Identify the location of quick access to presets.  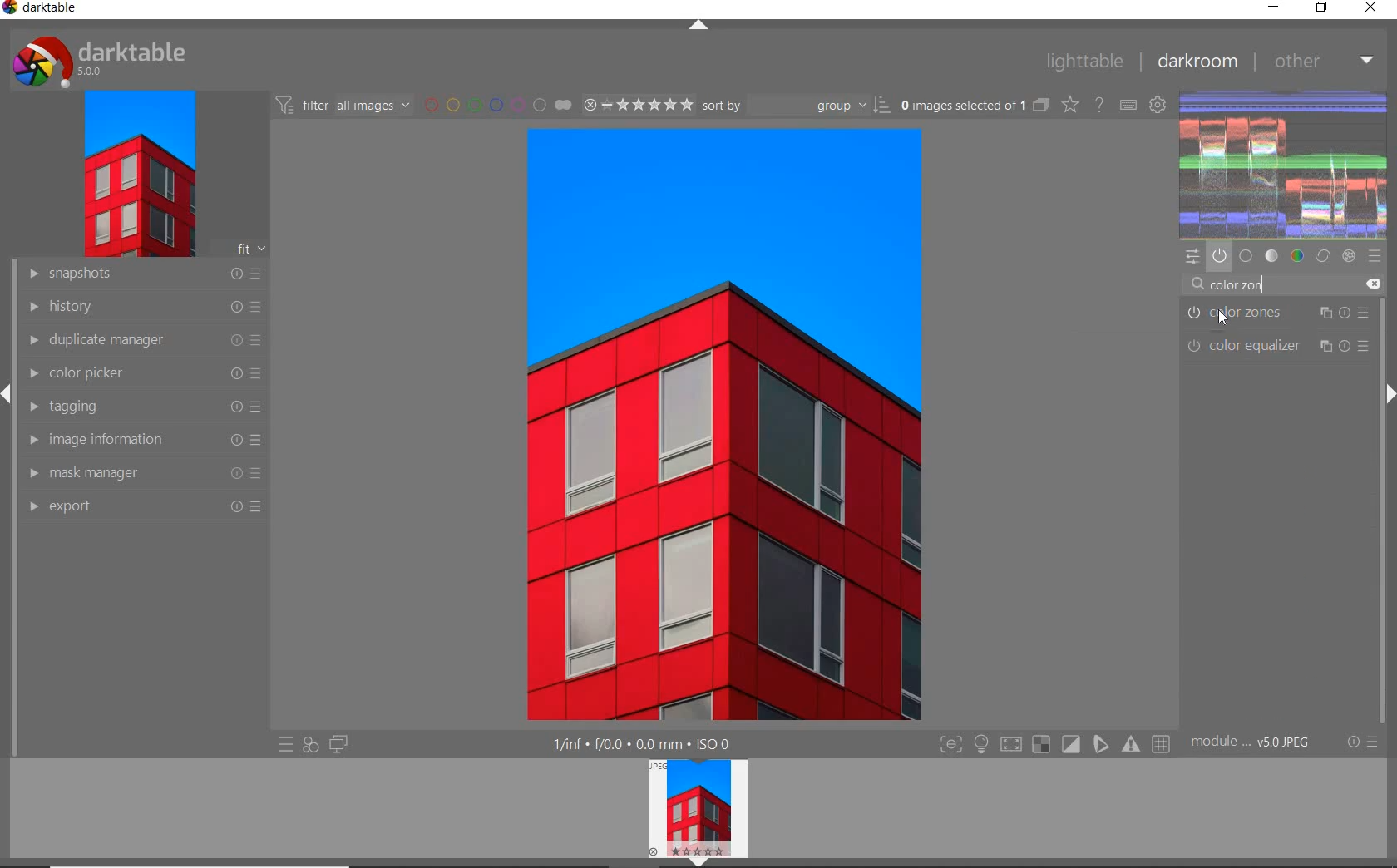
(286, 746).